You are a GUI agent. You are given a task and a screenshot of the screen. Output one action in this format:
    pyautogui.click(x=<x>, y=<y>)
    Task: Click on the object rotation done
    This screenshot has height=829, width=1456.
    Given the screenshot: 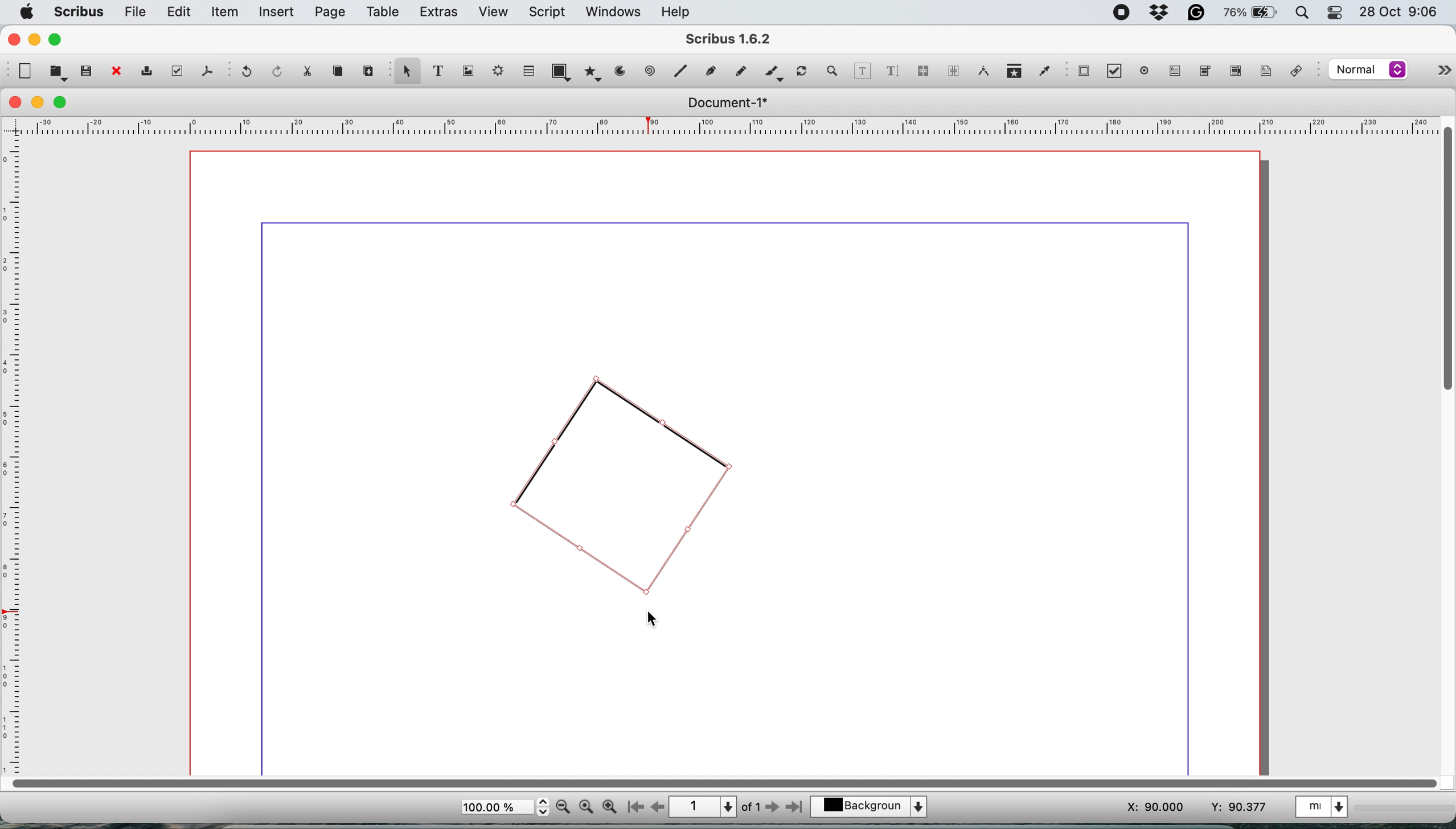 What is the action you would take?
    pyautogui.click(x=622, y=482)
    